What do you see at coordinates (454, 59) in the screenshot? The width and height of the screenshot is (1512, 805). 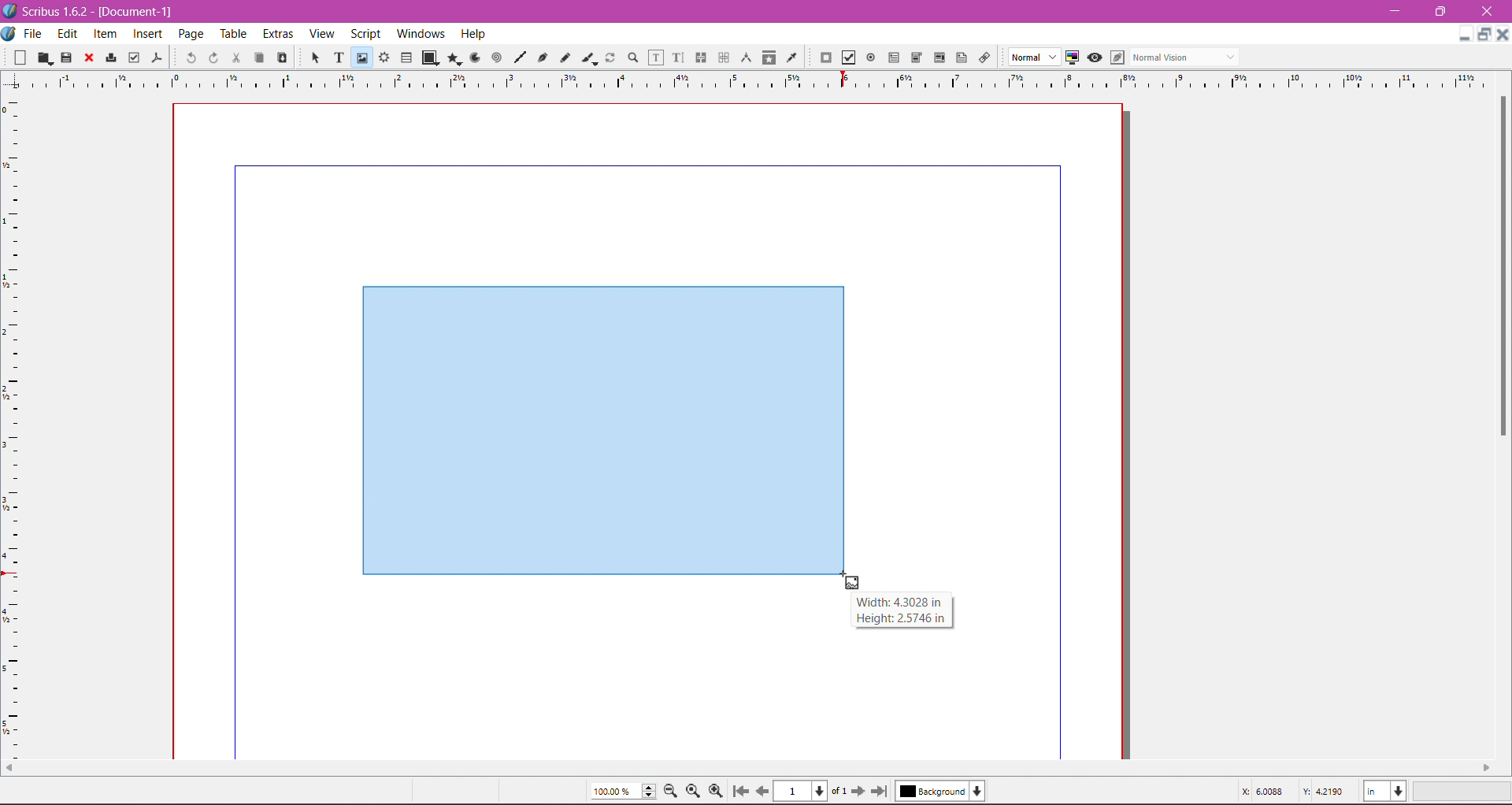 I see `Polygon` at bounding box center [454, 59].